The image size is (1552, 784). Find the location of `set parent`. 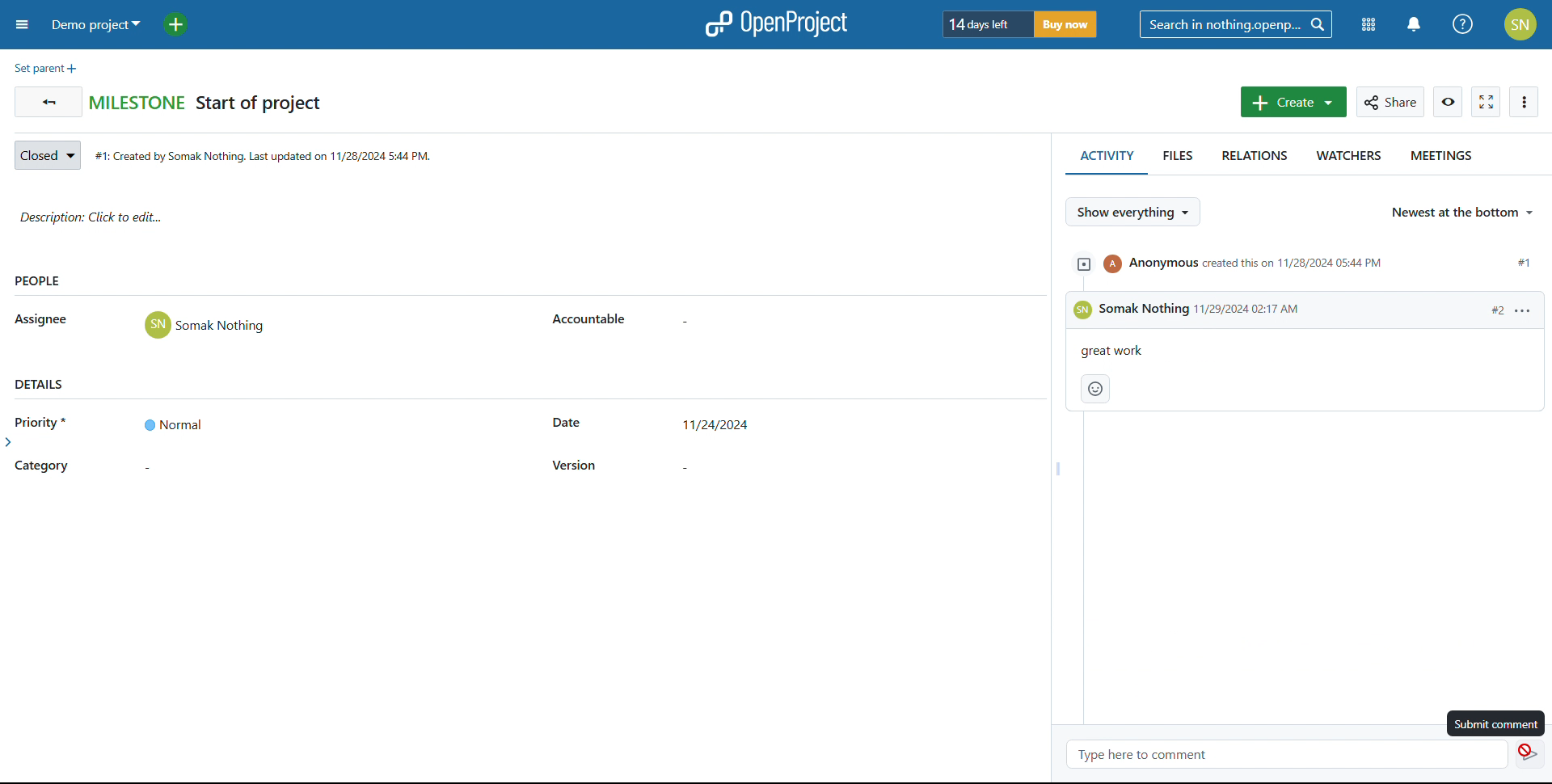

set parent is located at coordinates (45, 69).